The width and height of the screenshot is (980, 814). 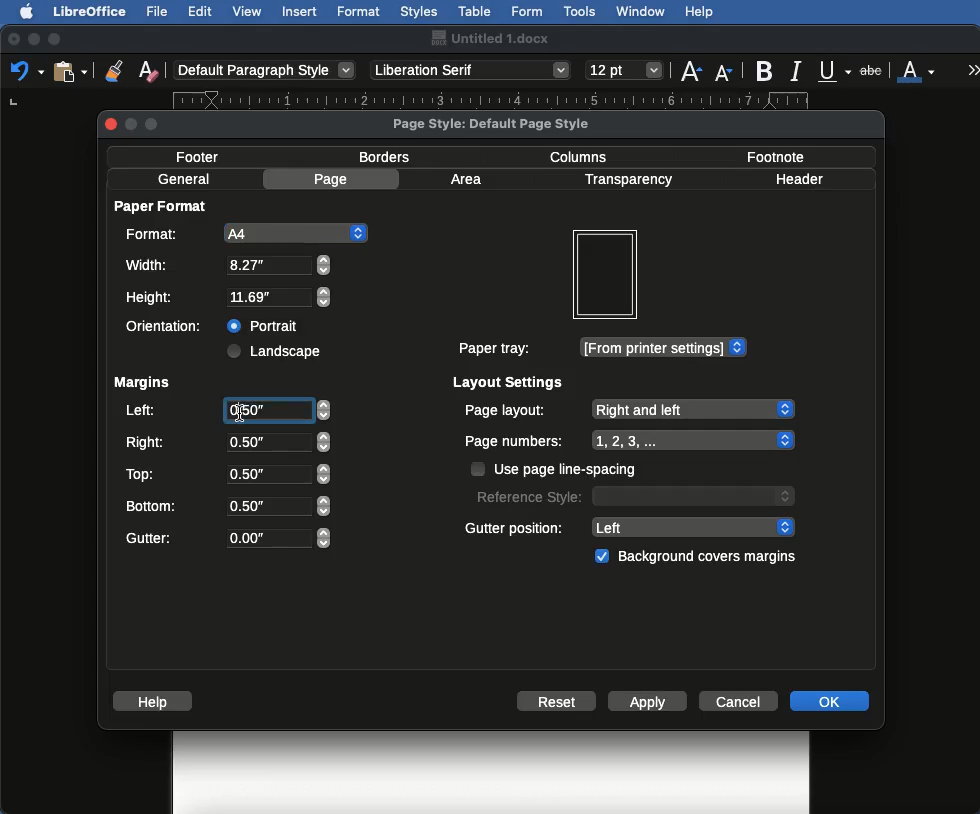 I want to click on Height, so click(x=229, y=298).